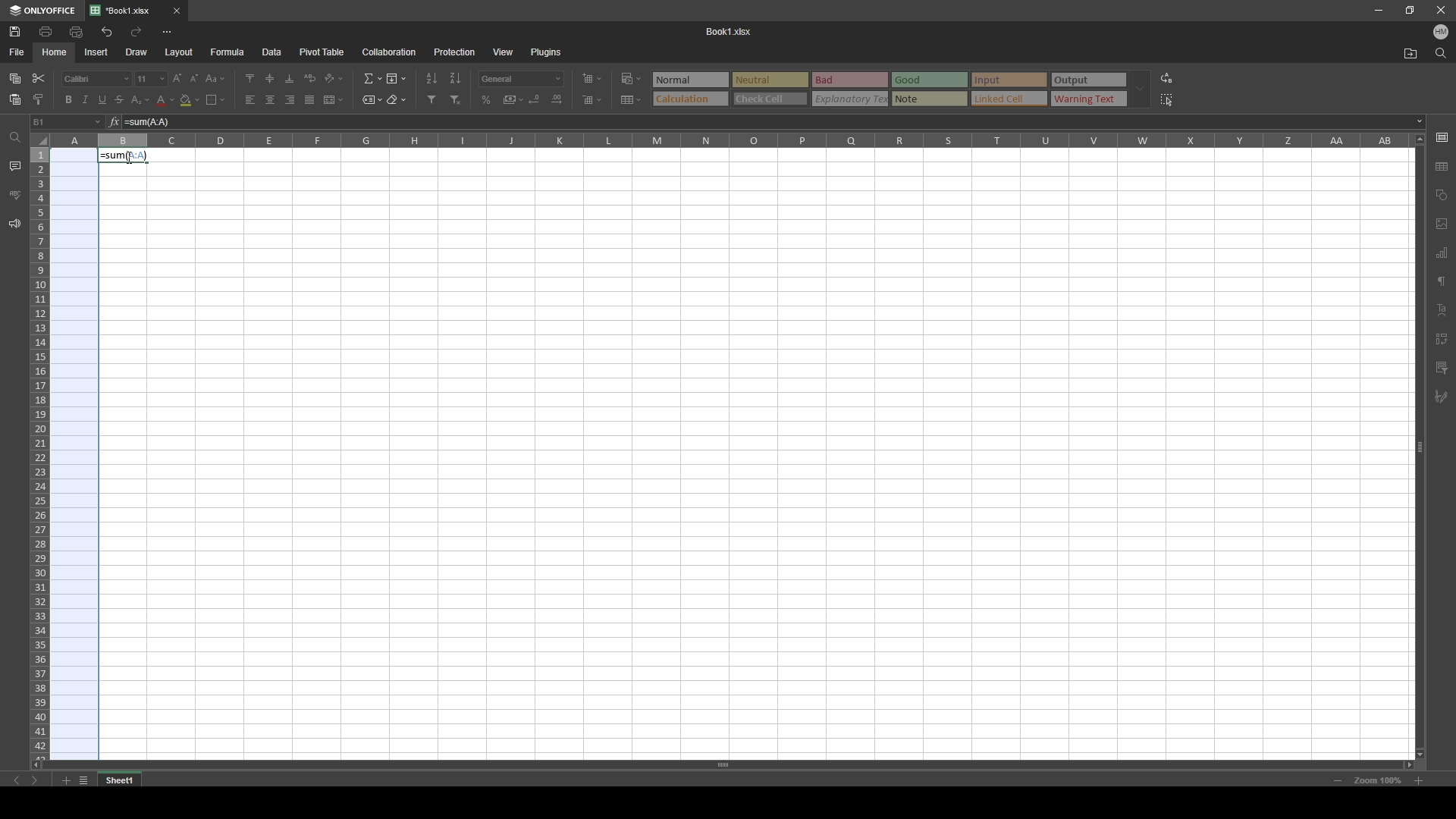 This screenshot has width=1456, height=819. I want to click on view, so click(503, 52).